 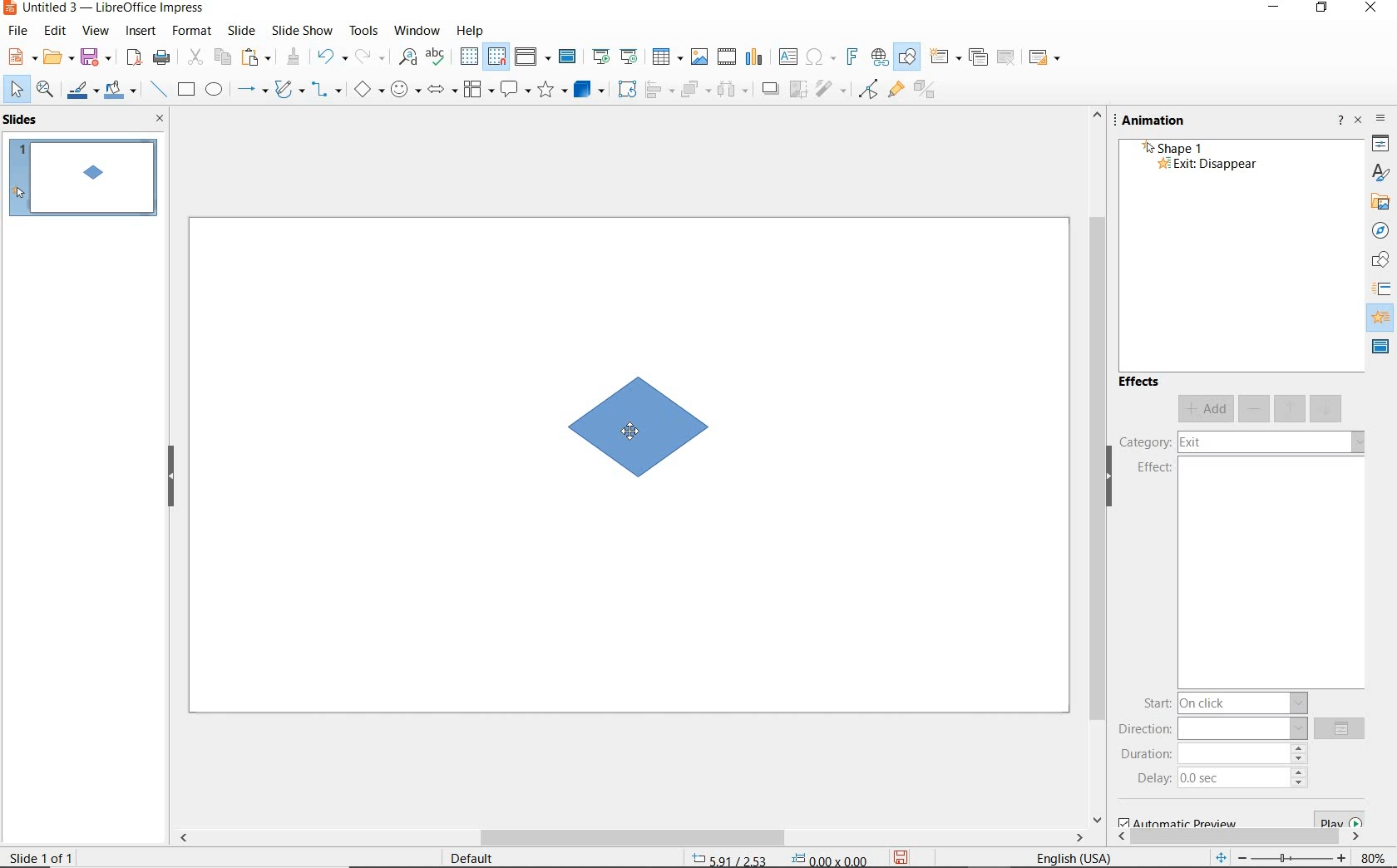 What do you see at coordinates (1245, 442) in the screenshot?
I see `category` at bounding box center [1245, 442].